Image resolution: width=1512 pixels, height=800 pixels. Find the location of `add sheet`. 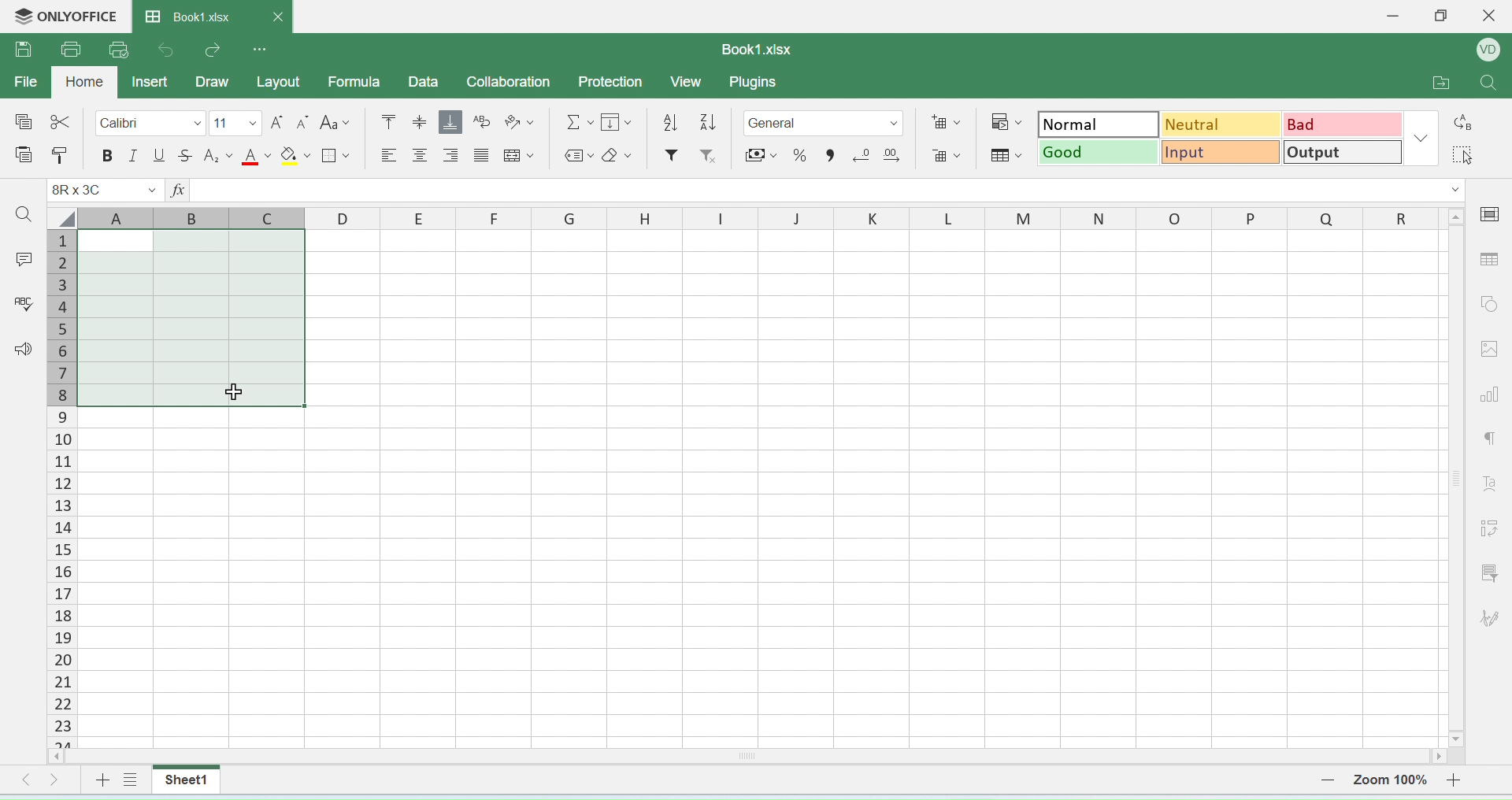

add sheet is located at coordinates (101, 783).